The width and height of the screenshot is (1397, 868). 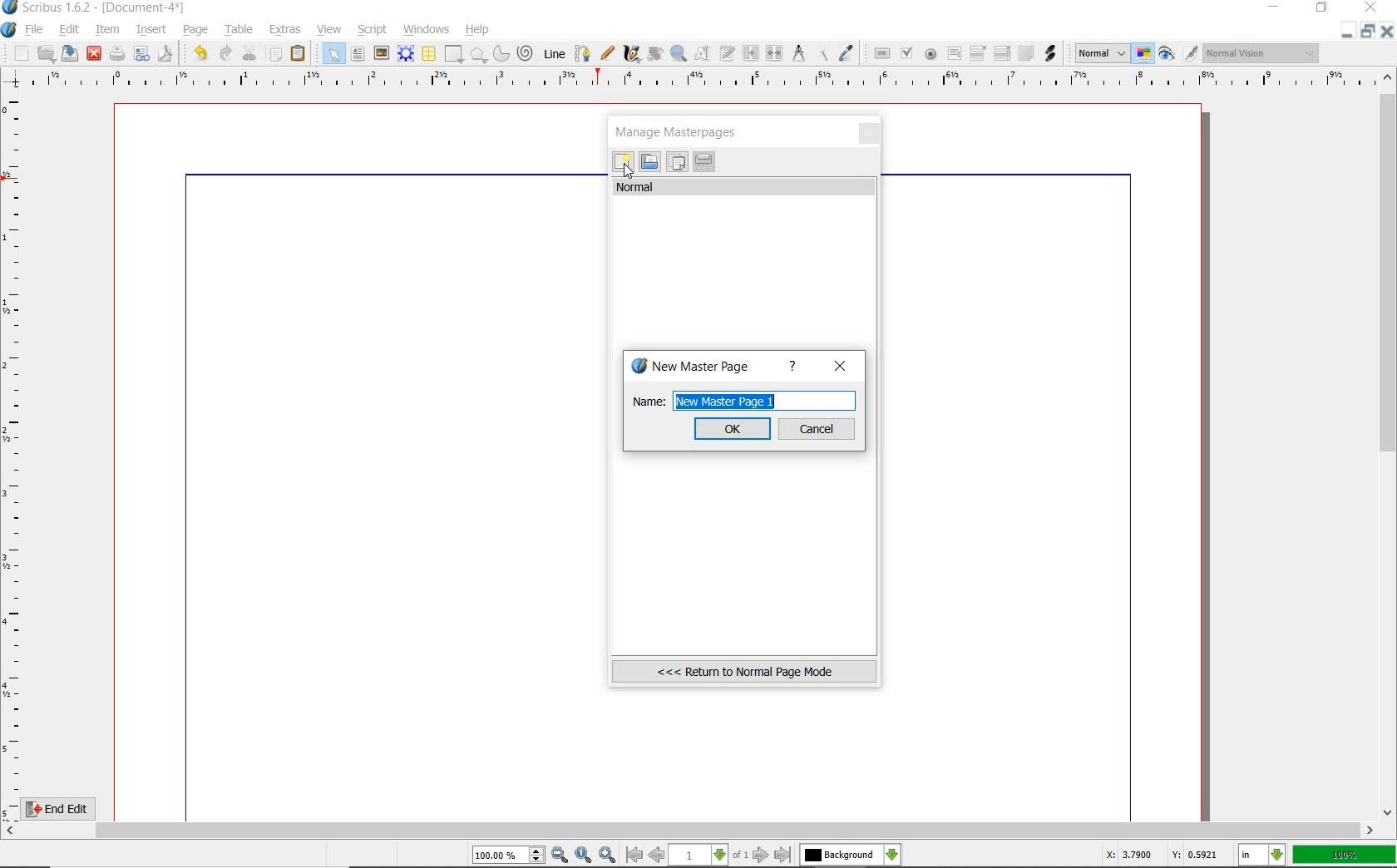 I want to click on in, so click(x=1262, y=856).